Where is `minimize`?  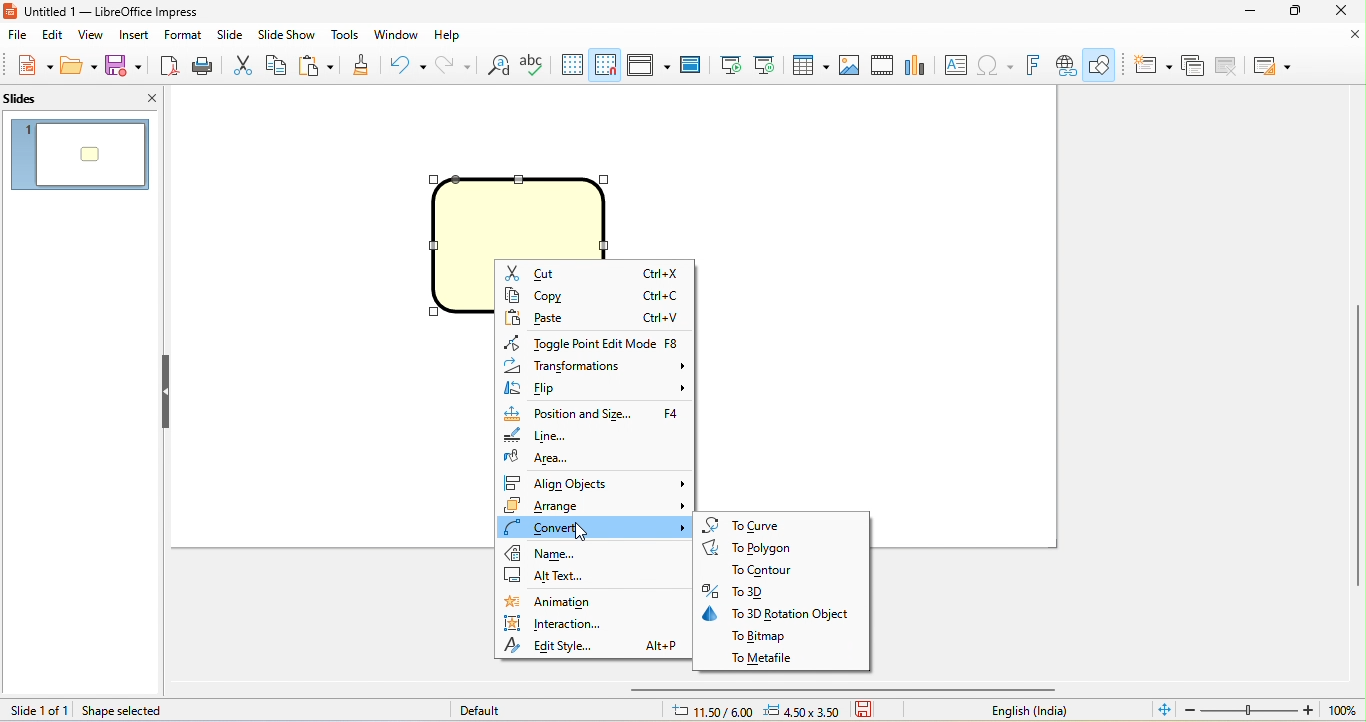
minimize is located at coordinates (1247, 11).